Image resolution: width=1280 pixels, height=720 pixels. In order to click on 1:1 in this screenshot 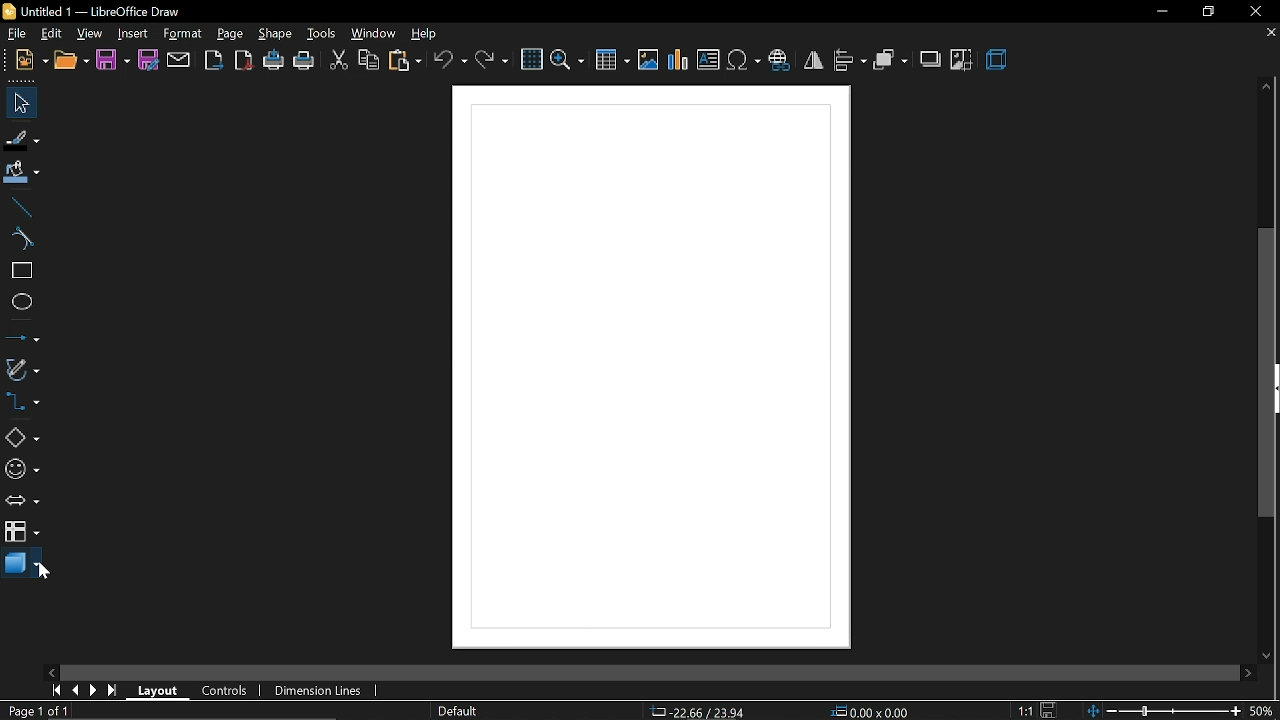, I will do `click(1023, 710)`.